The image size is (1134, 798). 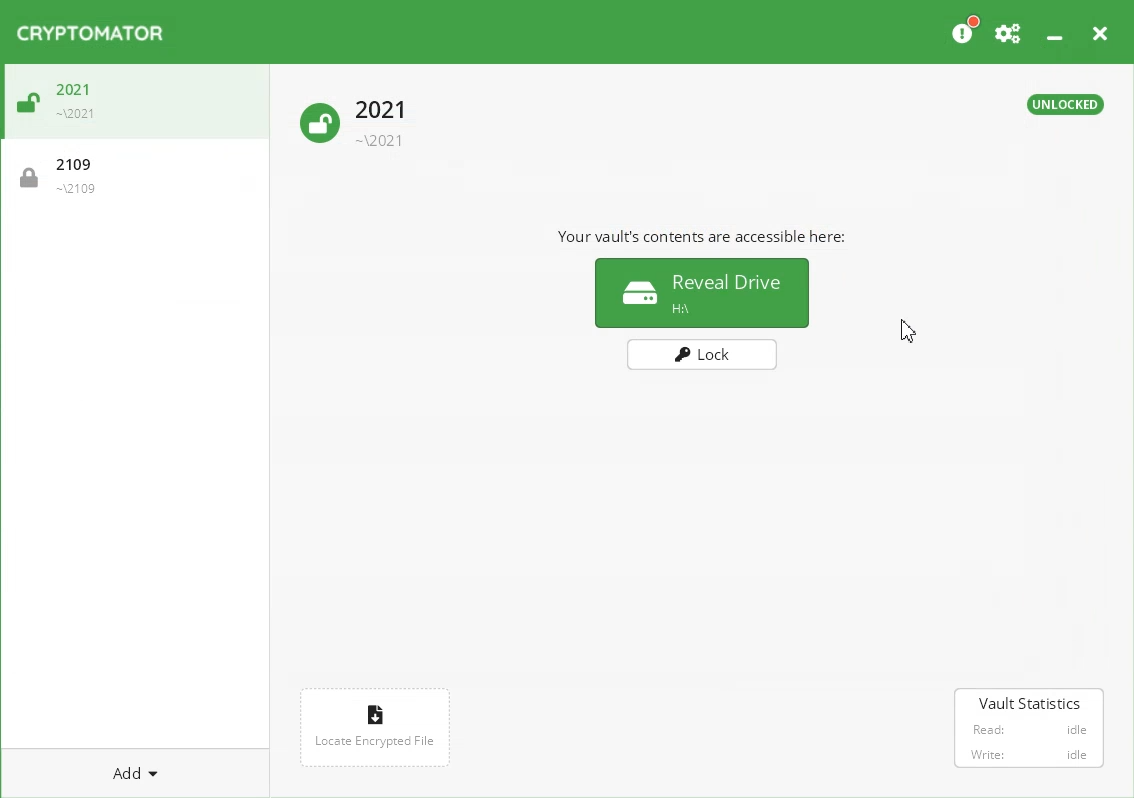 What do you see at coordinates (1030, 727) in the screenshot?
I see `Vault Statistics` at bounding box center [1030, 727].